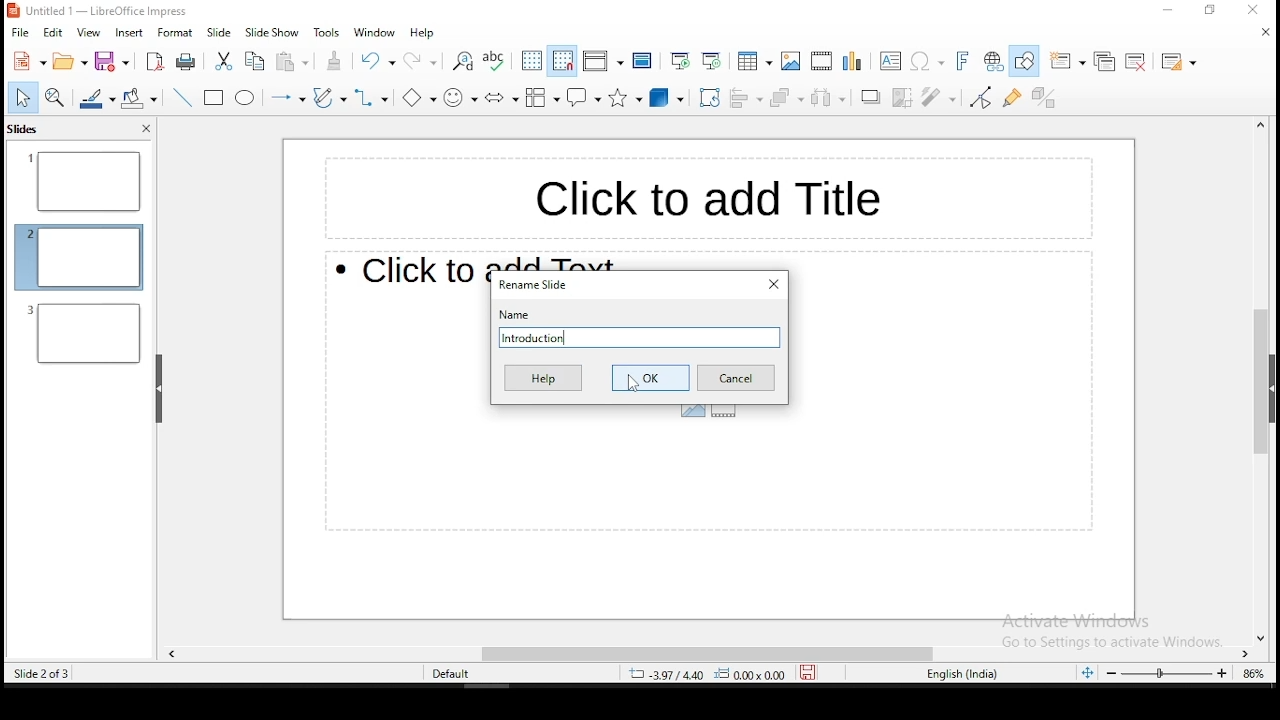 Image resolution: width=1280 pixels, height=720 pixels. I want to click on 3.97/4.40, so click(670, 674).